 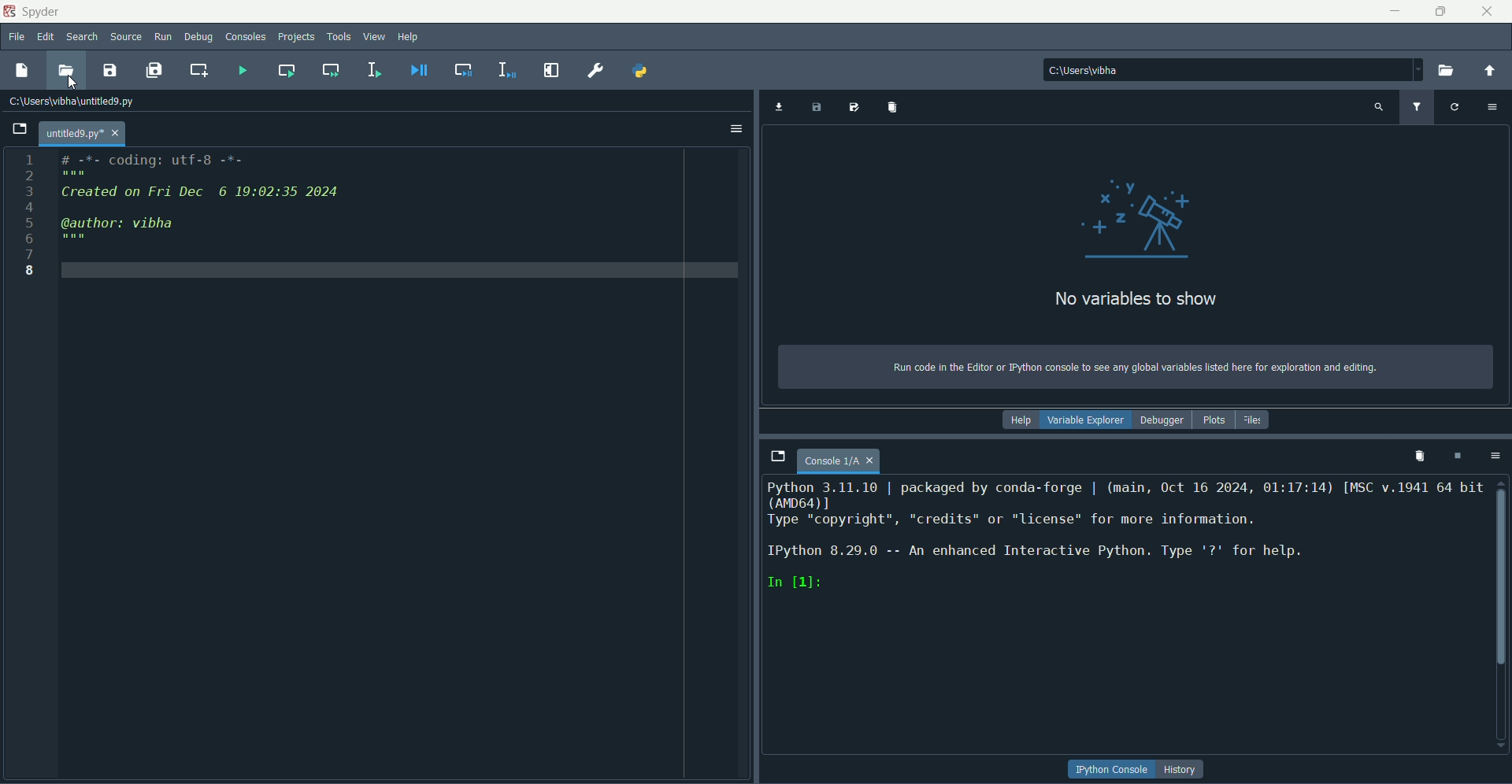 What do you see at coordinates (82, 133) in the screenshot?
I see `page name` at bounding box center [82, 133].